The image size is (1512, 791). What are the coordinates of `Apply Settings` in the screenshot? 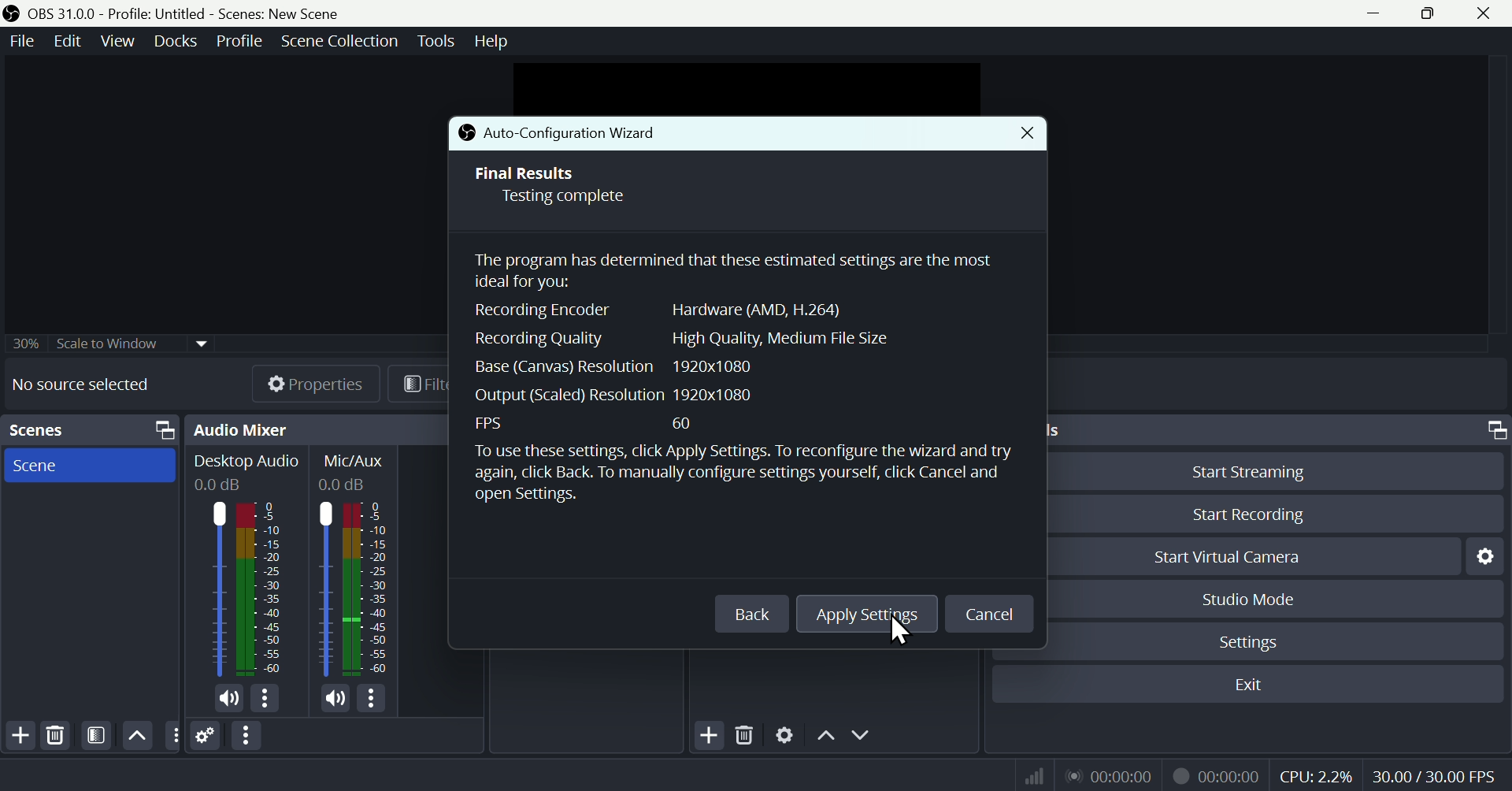 It's located at (868, 615).